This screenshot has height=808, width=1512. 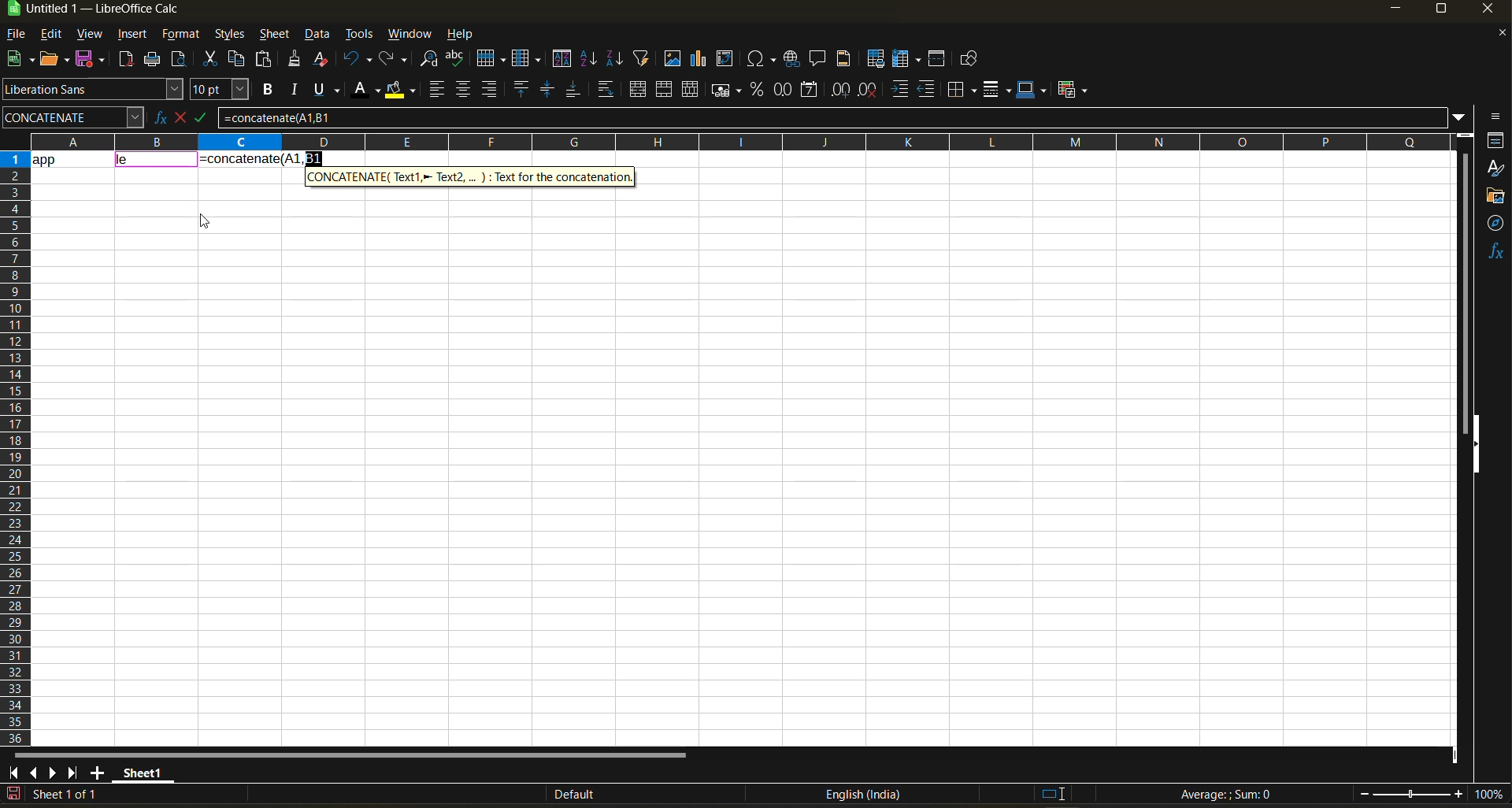 I want to click on edit, so click(x=51, y=32).